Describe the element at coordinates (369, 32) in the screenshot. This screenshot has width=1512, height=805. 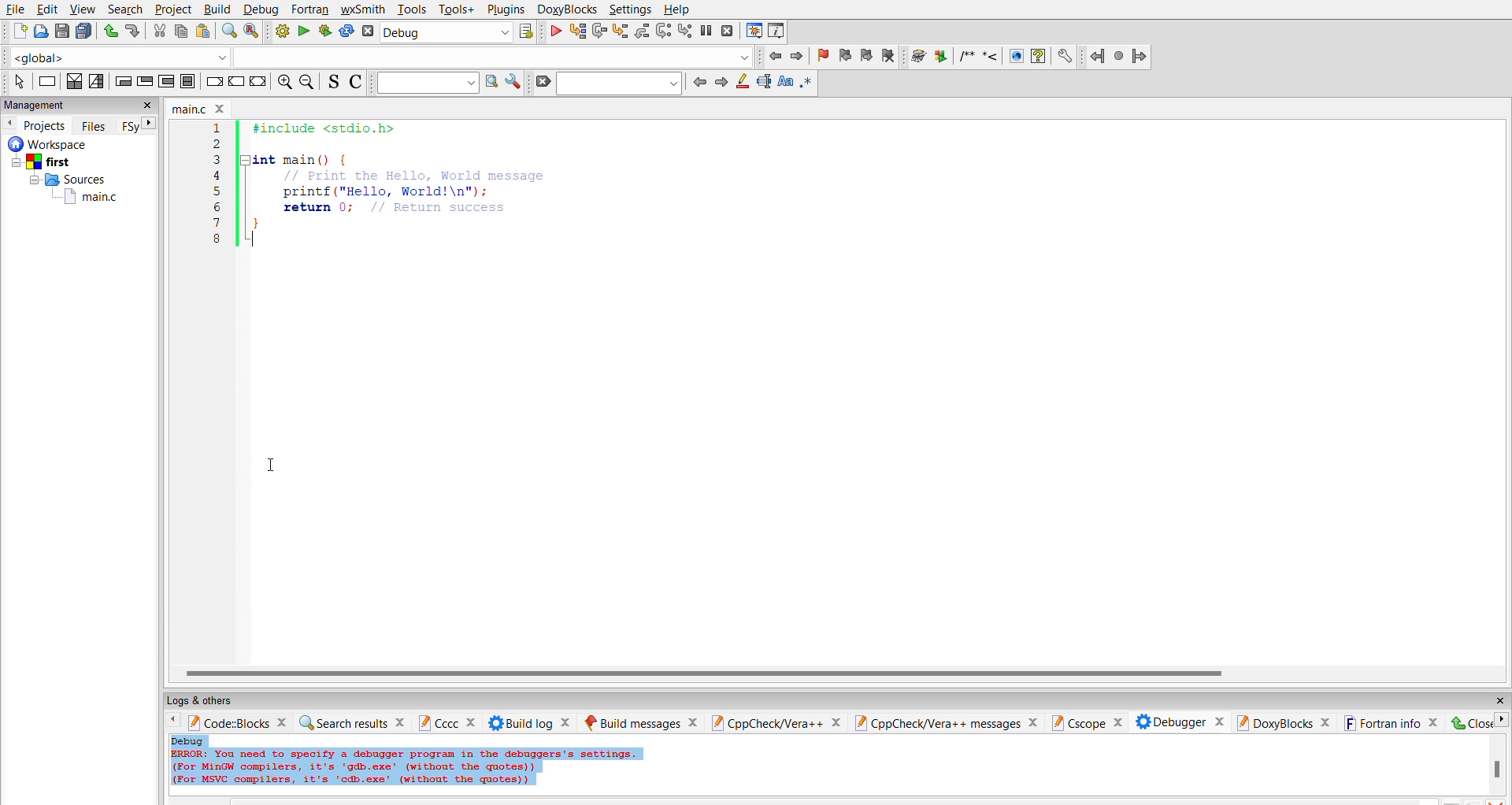
I see `abort` at that location.